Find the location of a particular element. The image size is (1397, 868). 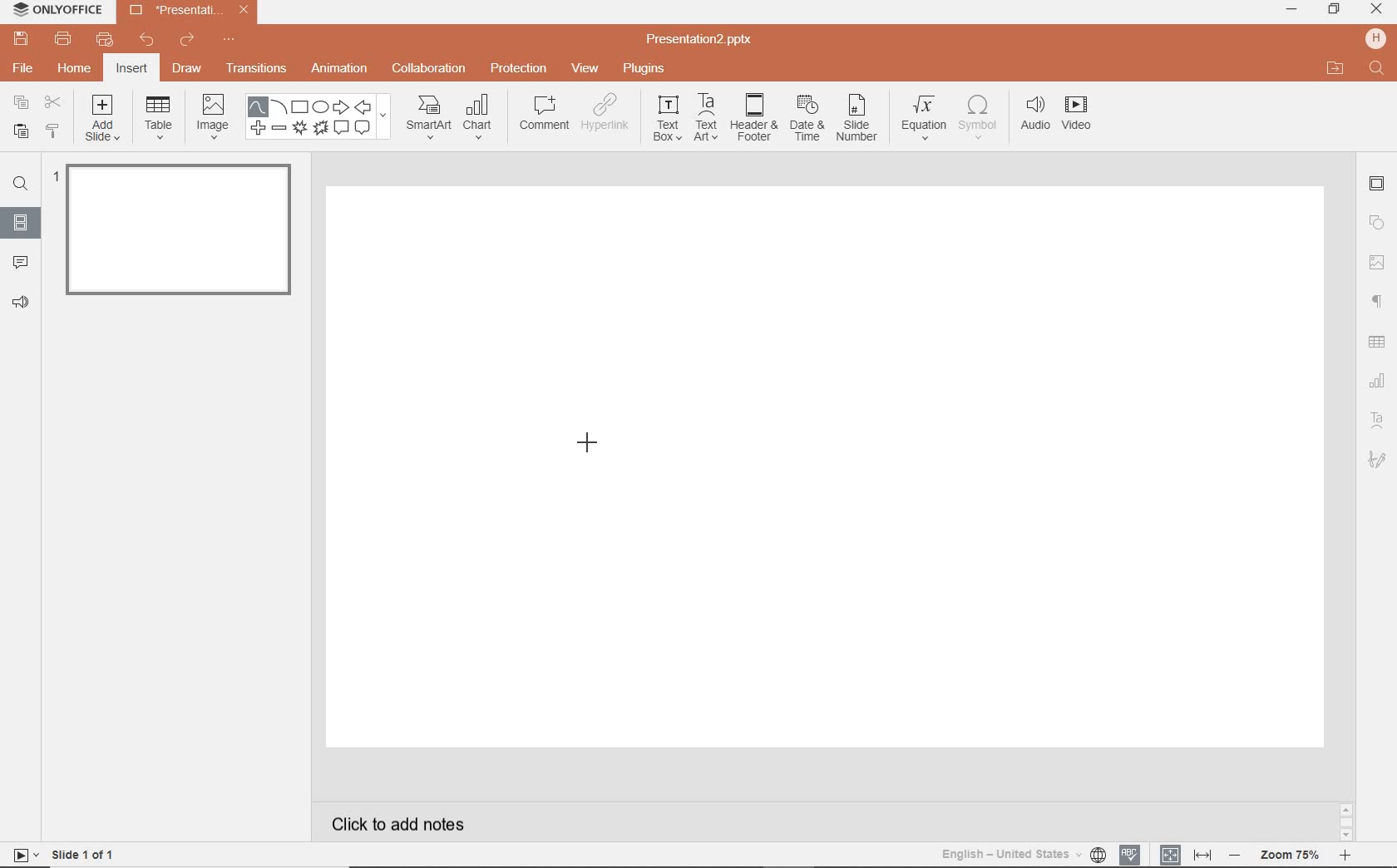

CUSTOMIZE QUICK ACCESS TOOLBAR is located at coordinates (229, 42).